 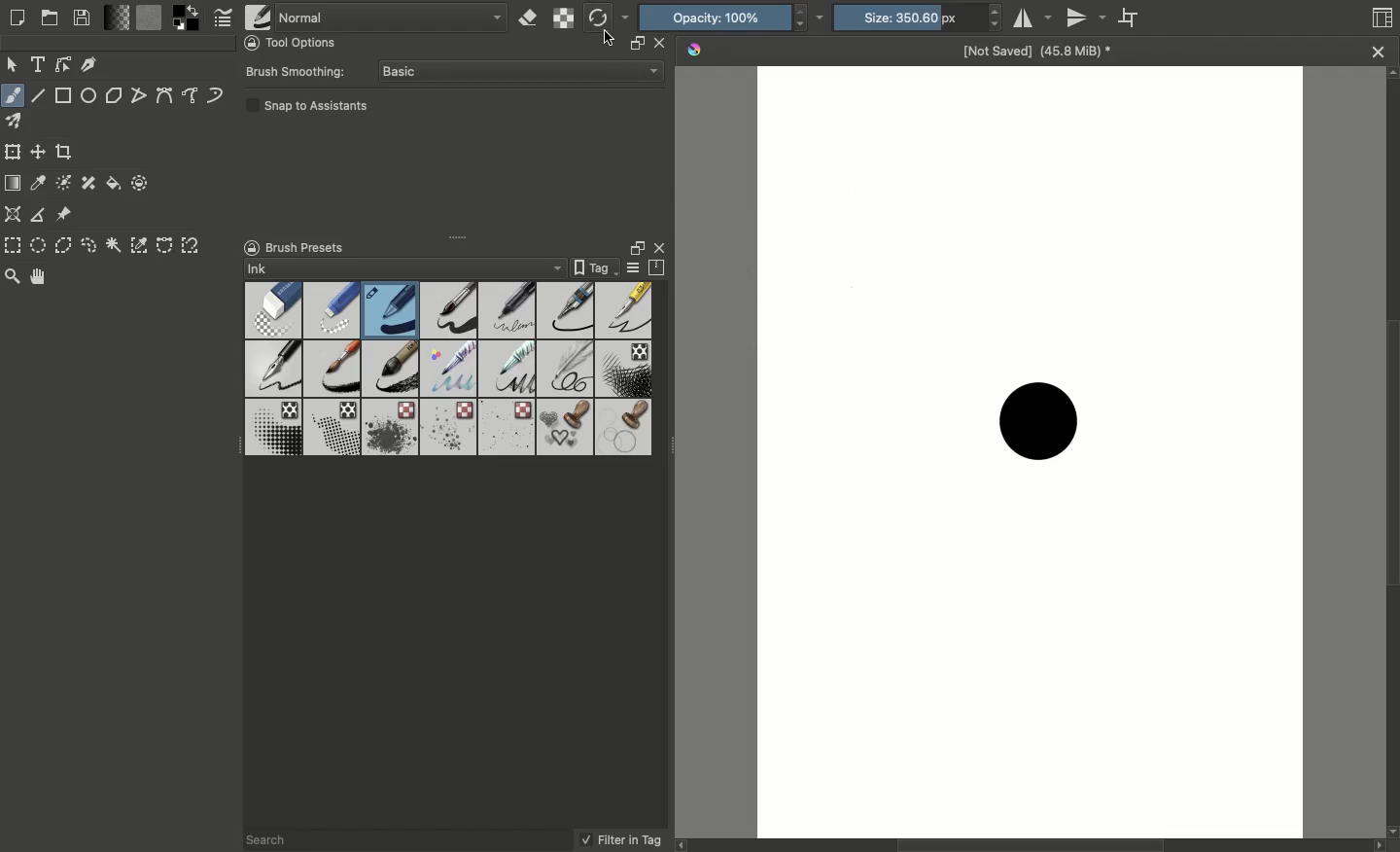 What do you see at coordinates (39, 154) in the screenshot?
I see `Move a layer` at bounding box center [39, 154].